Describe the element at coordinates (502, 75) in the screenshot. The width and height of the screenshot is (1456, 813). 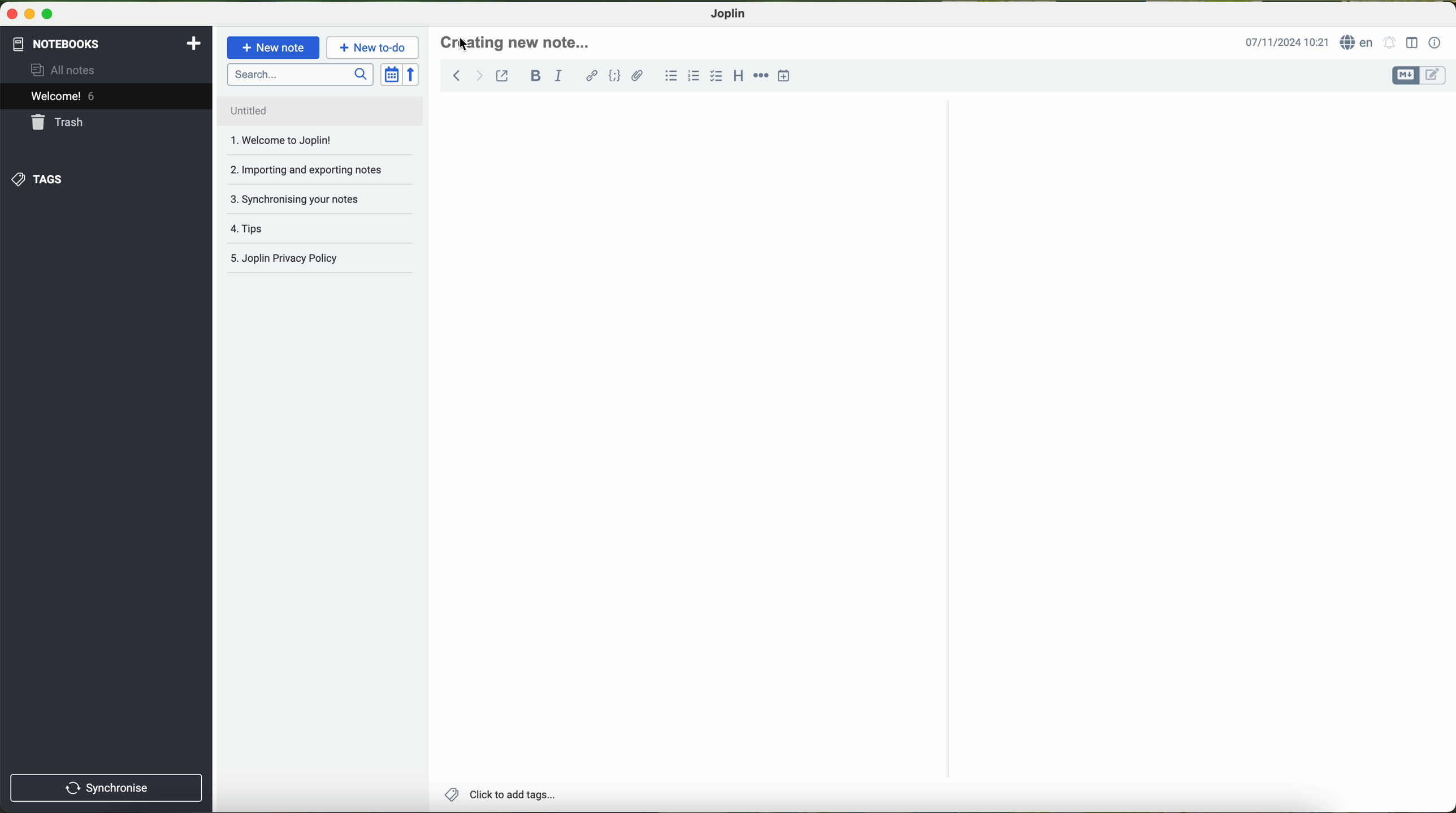
I see `toggle external editing` at that location.